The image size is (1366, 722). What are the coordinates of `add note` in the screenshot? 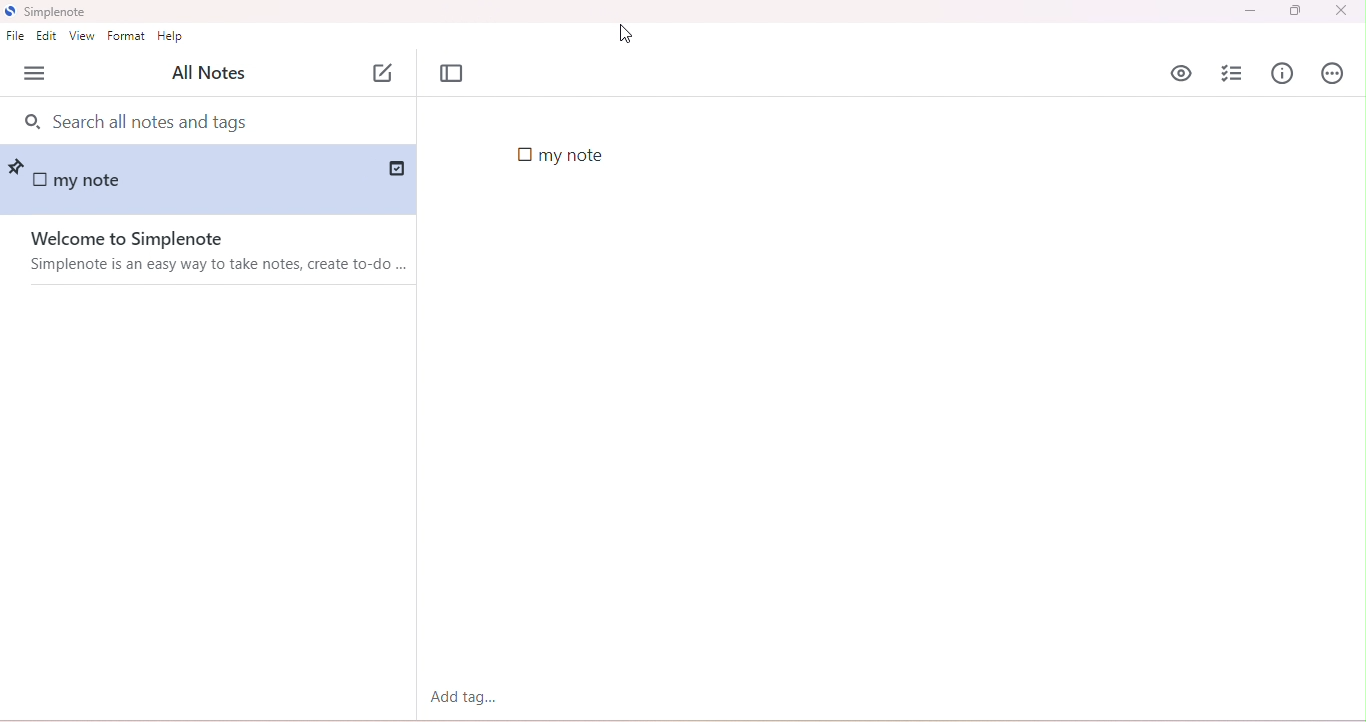 It's located at (383, 74).